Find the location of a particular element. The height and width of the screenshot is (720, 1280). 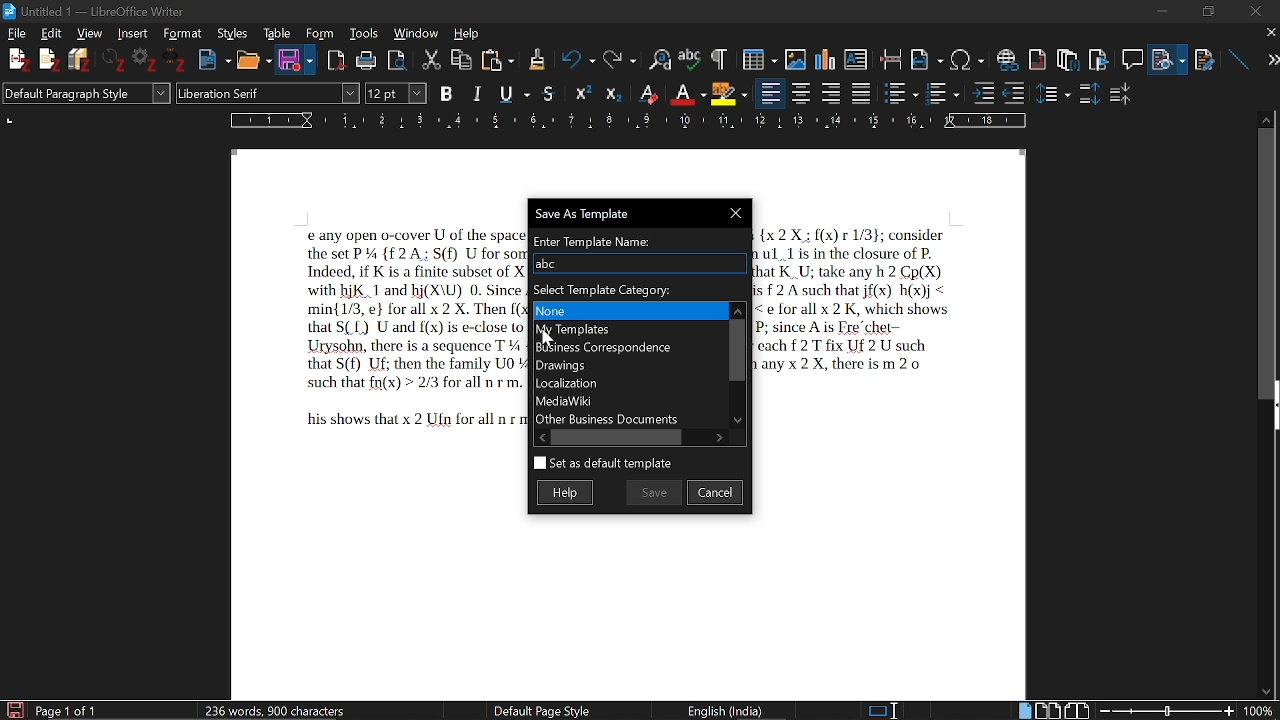

Table is located at coordinates (277, 33).